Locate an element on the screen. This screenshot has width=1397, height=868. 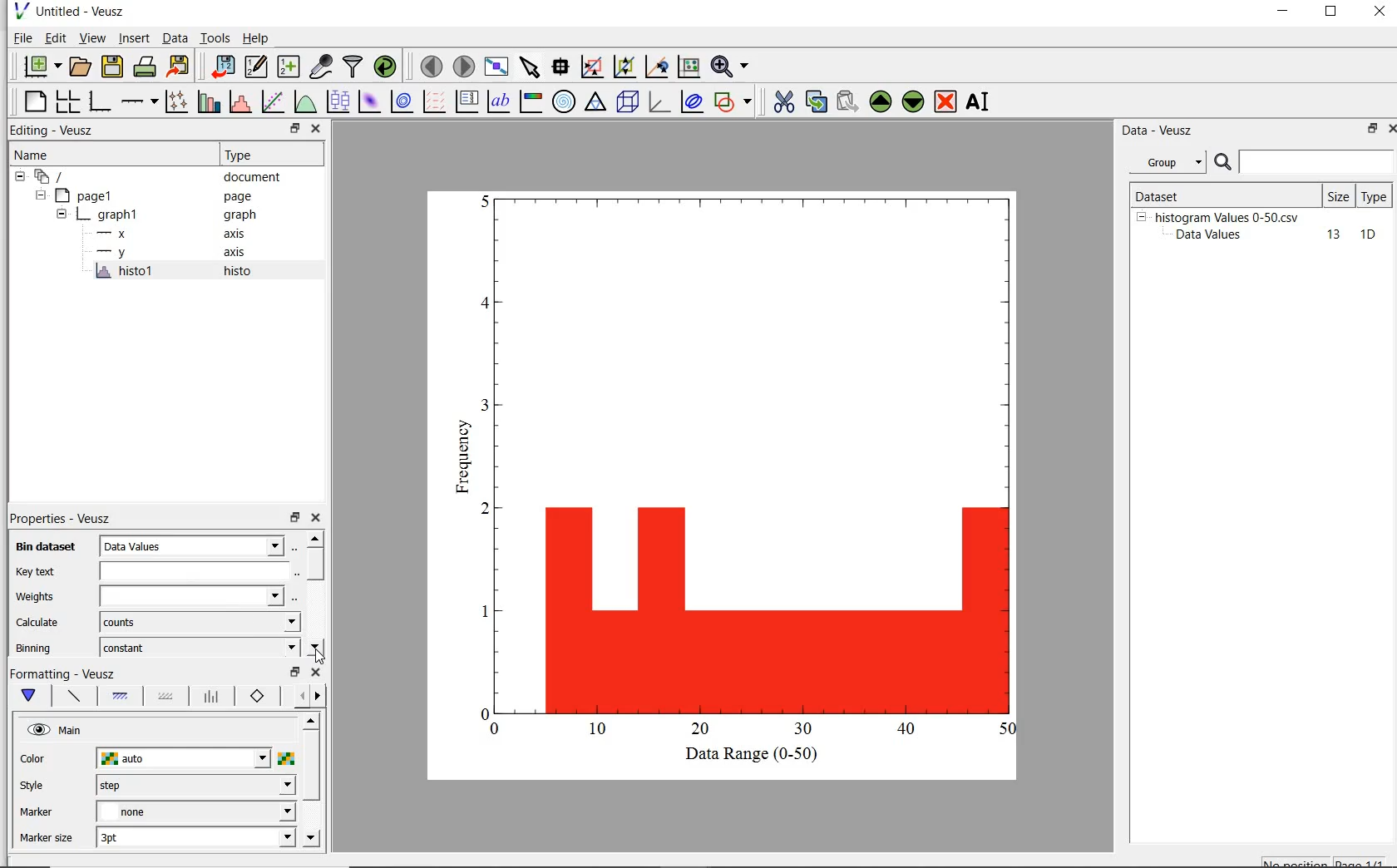
plot points with line and error bars is located at coordinates (177, 101).